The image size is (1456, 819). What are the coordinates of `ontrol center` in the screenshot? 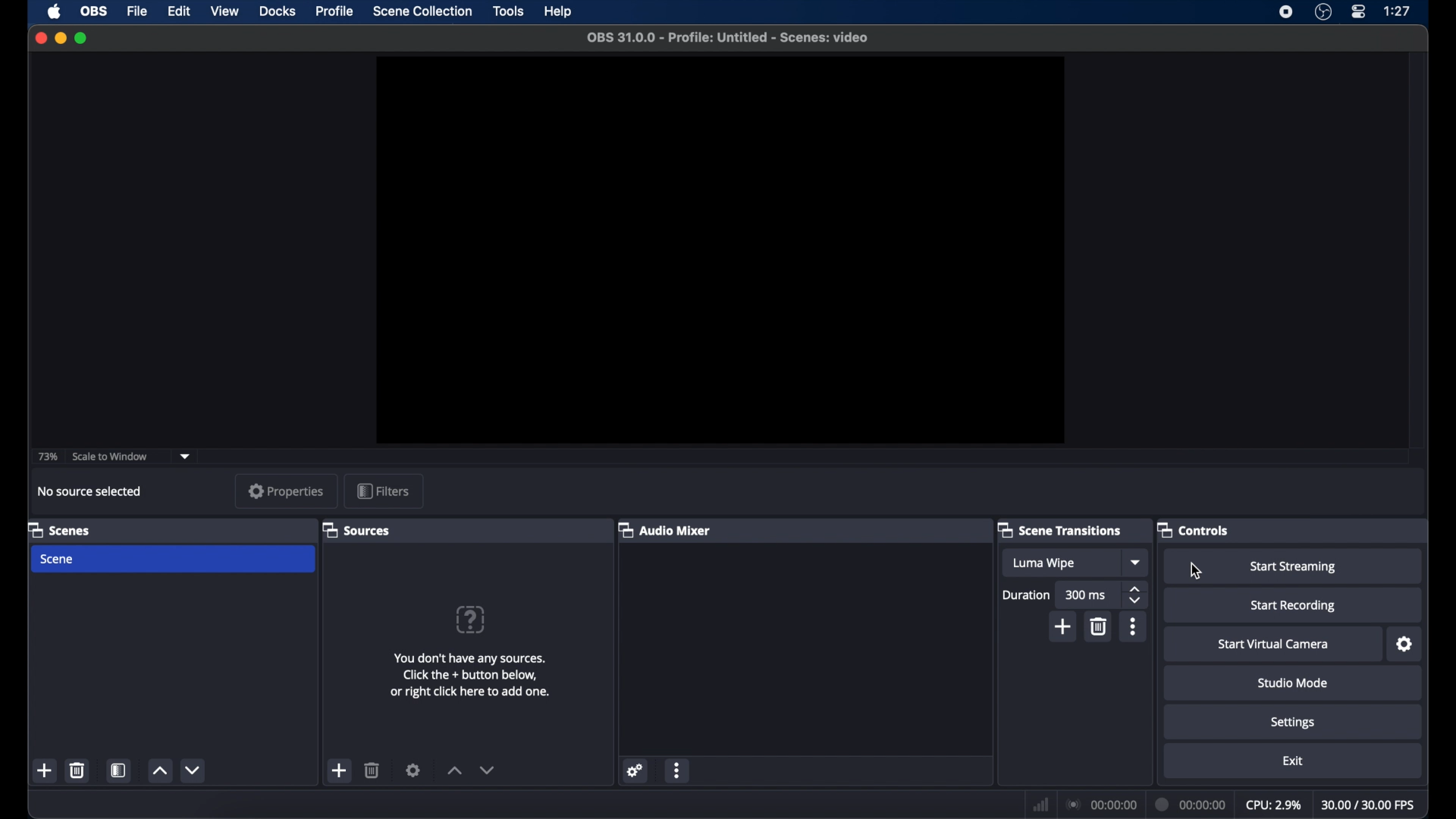 It's located at (1360, 12).